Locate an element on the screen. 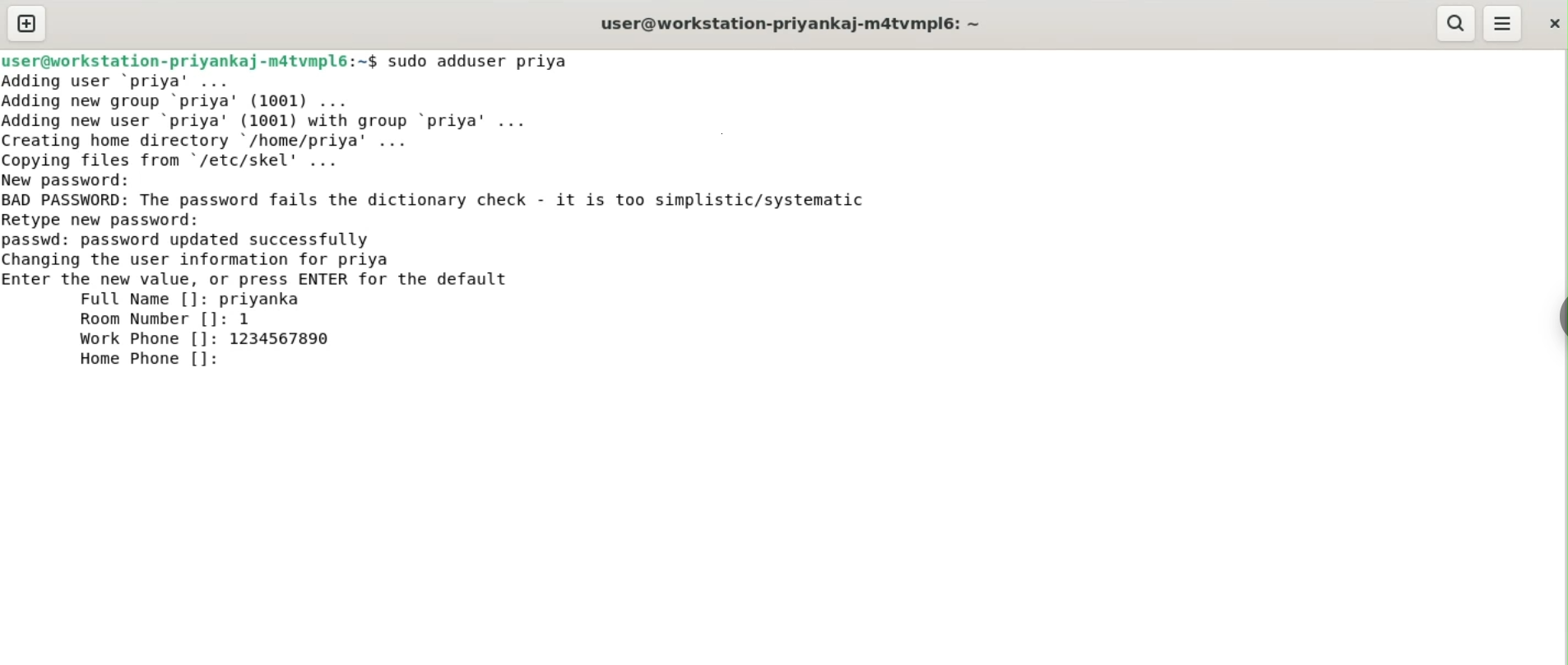 The image size is (1568, 665). retype new password: is located at coordinates (114, 219).